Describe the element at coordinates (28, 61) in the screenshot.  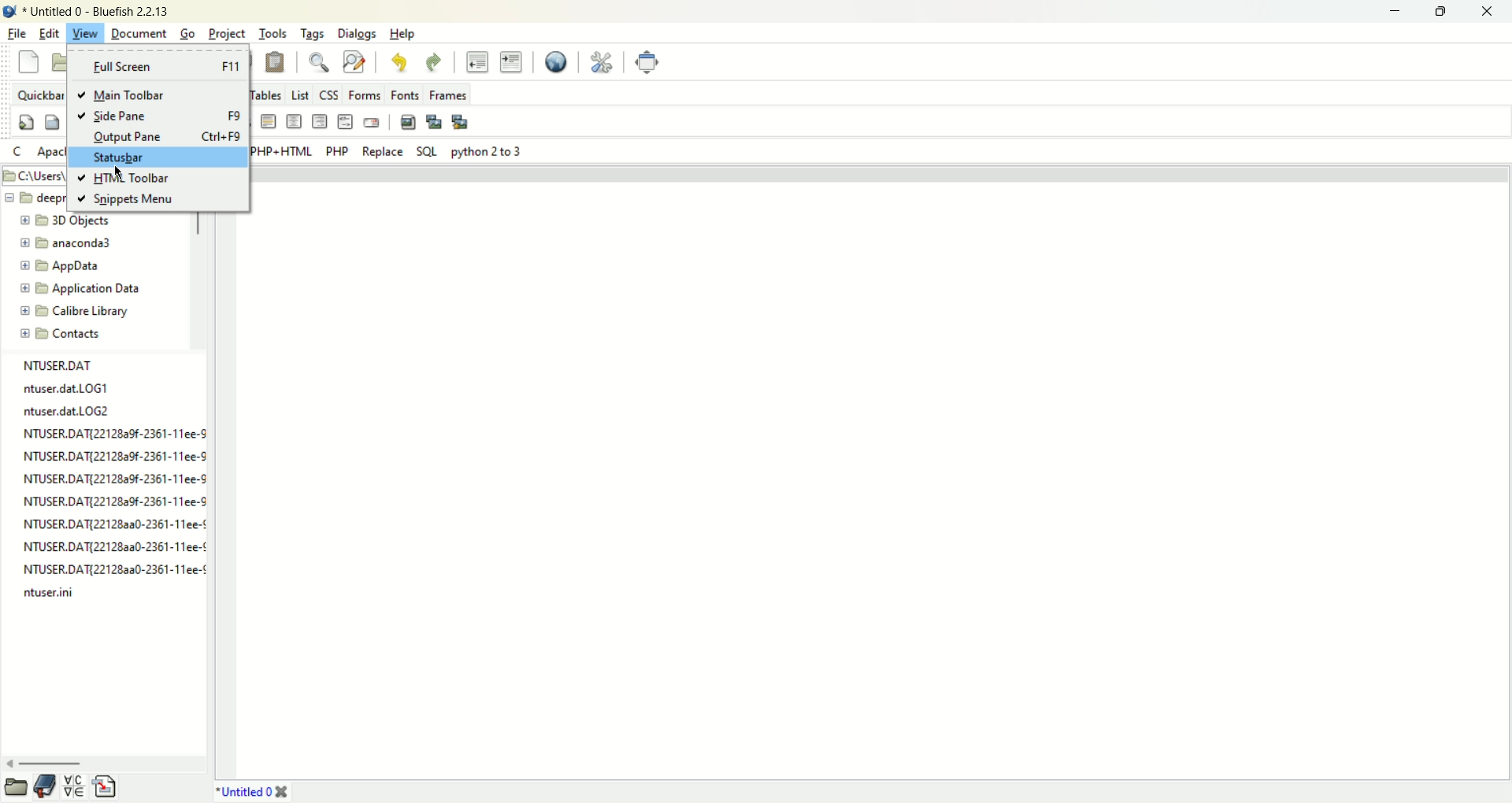
I see `new file` at that location.